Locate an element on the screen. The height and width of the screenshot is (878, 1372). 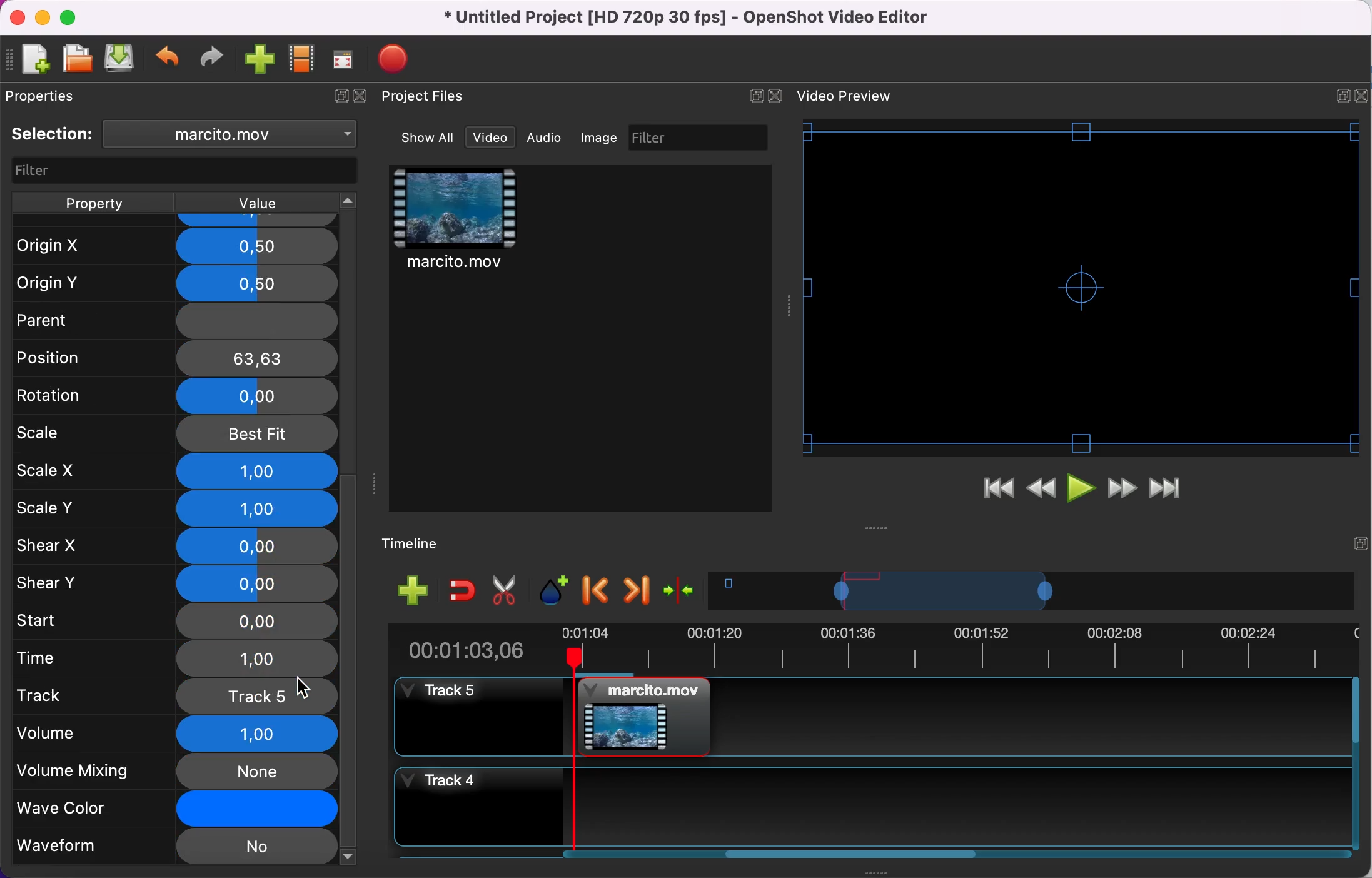
volume 1 is located at coordinates (171, 734).